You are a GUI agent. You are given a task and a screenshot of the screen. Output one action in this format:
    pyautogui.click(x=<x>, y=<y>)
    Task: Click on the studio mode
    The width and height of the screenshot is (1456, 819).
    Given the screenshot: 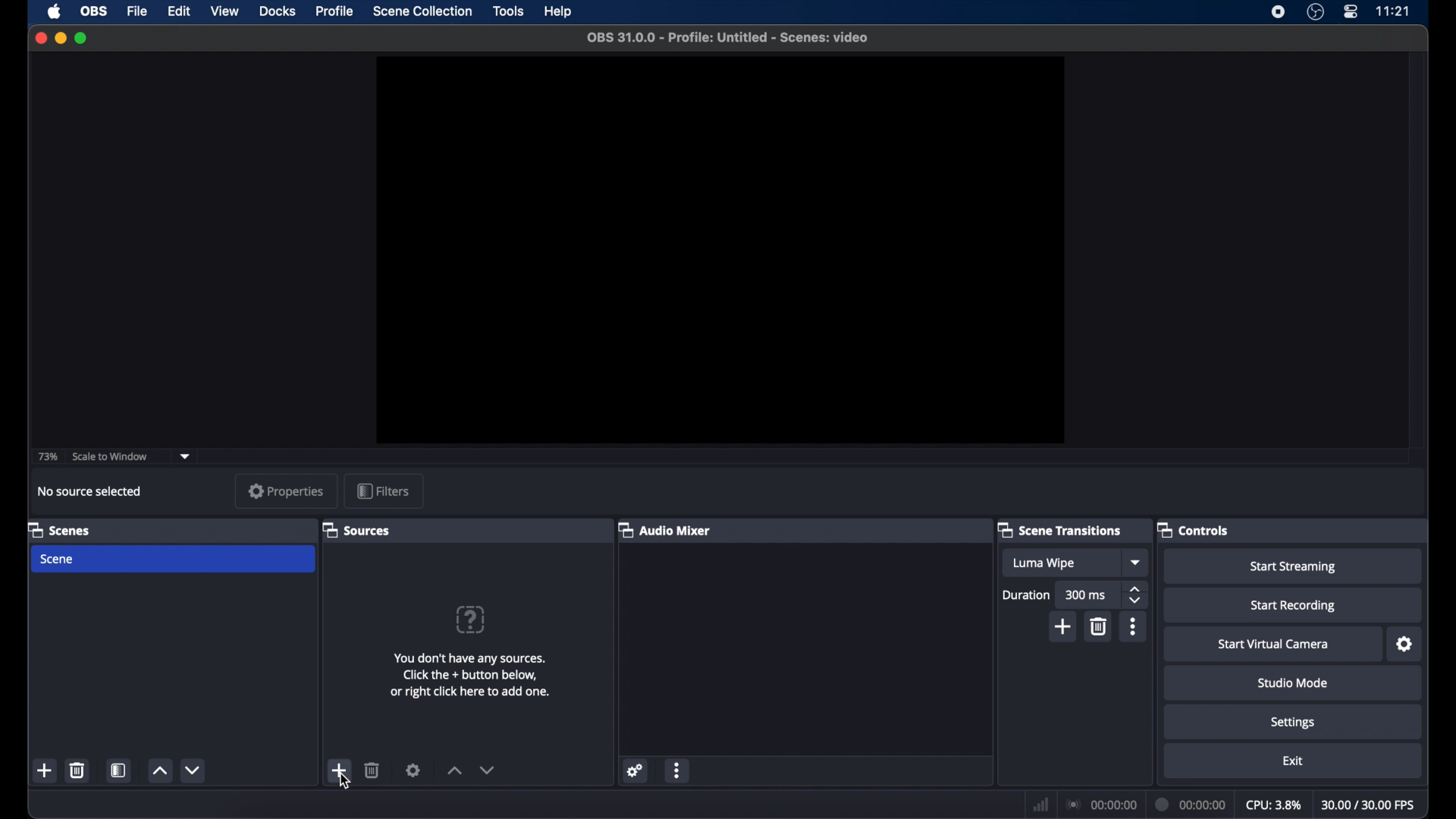 What is the action you would take?
    pyautogui.click(x=1293, y=682)
    